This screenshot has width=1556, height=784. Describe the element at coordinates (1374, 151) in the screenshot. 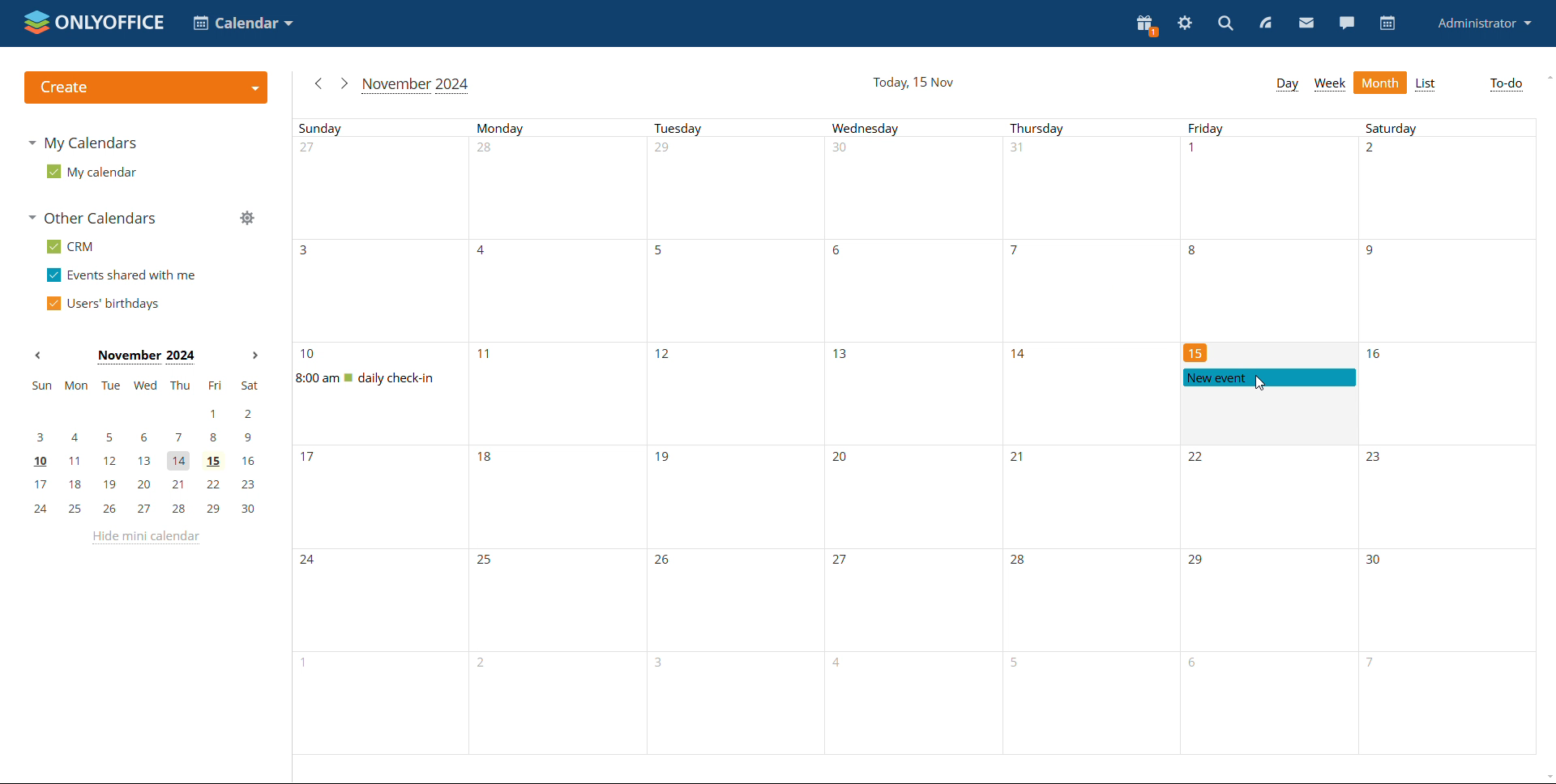

I see `Number` at that location.